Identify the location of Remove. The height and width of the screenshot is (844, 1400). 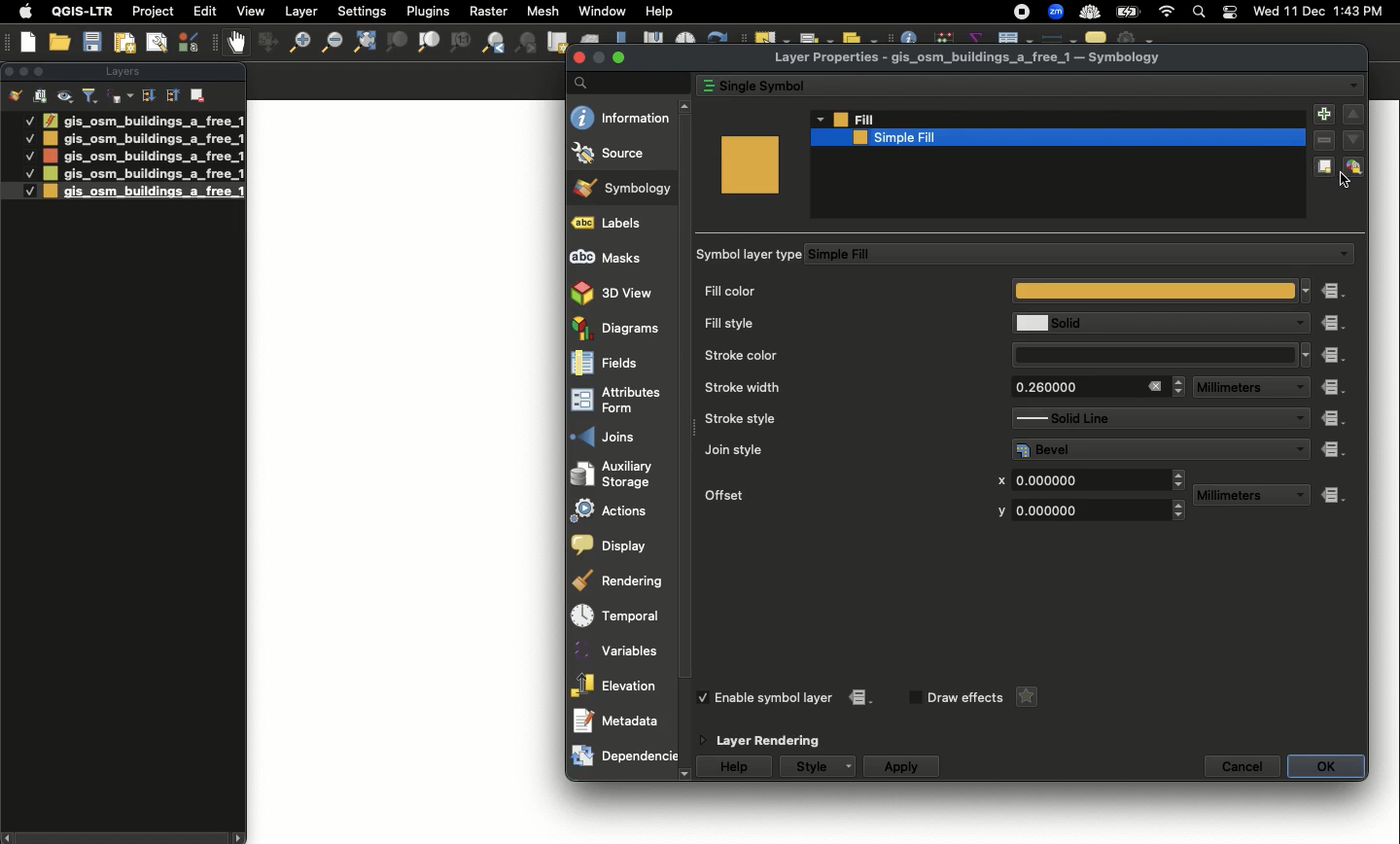
(199, 93).